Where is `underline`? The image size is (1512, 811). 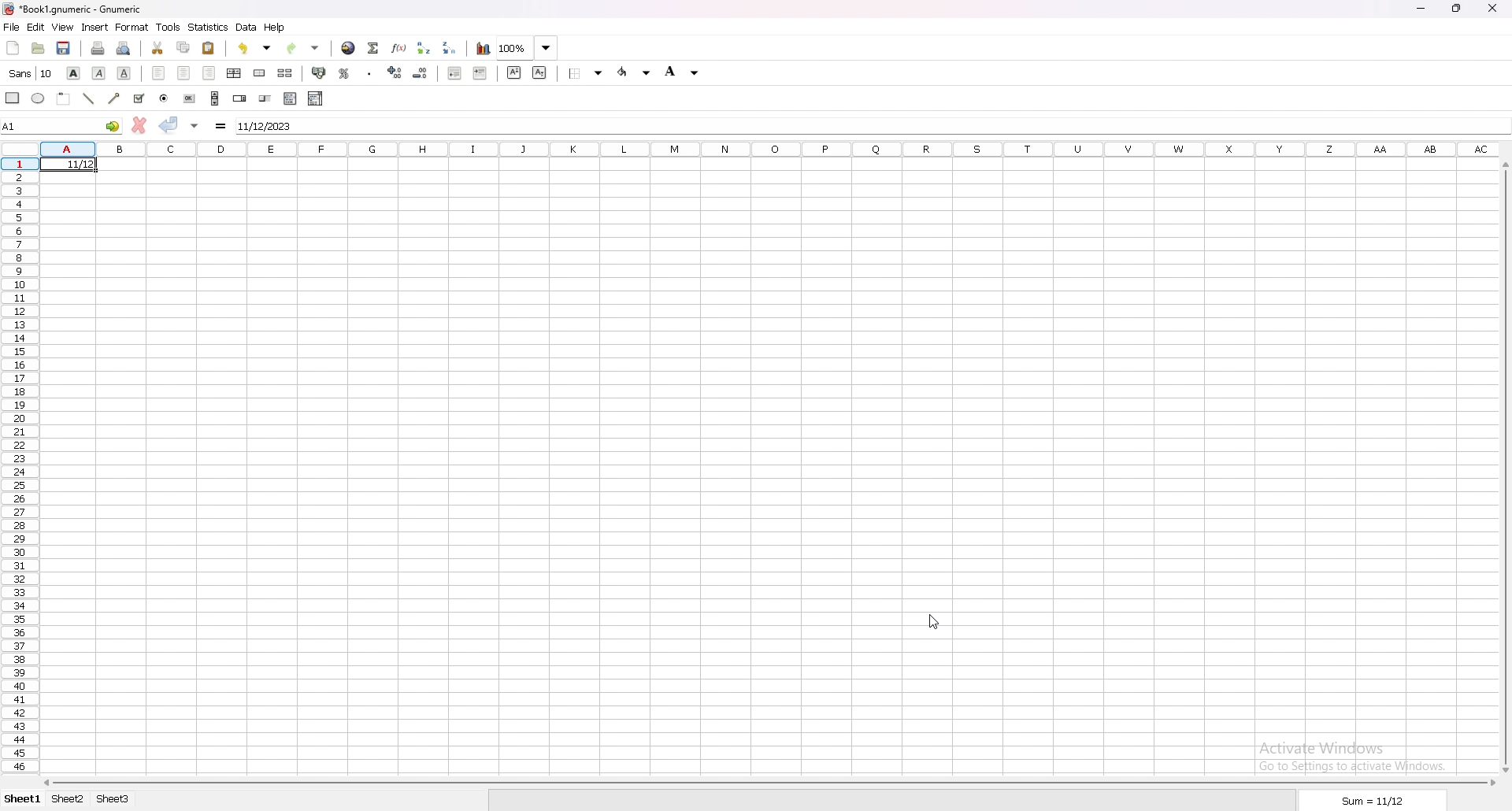 underline is located at coordinates (124, 73).